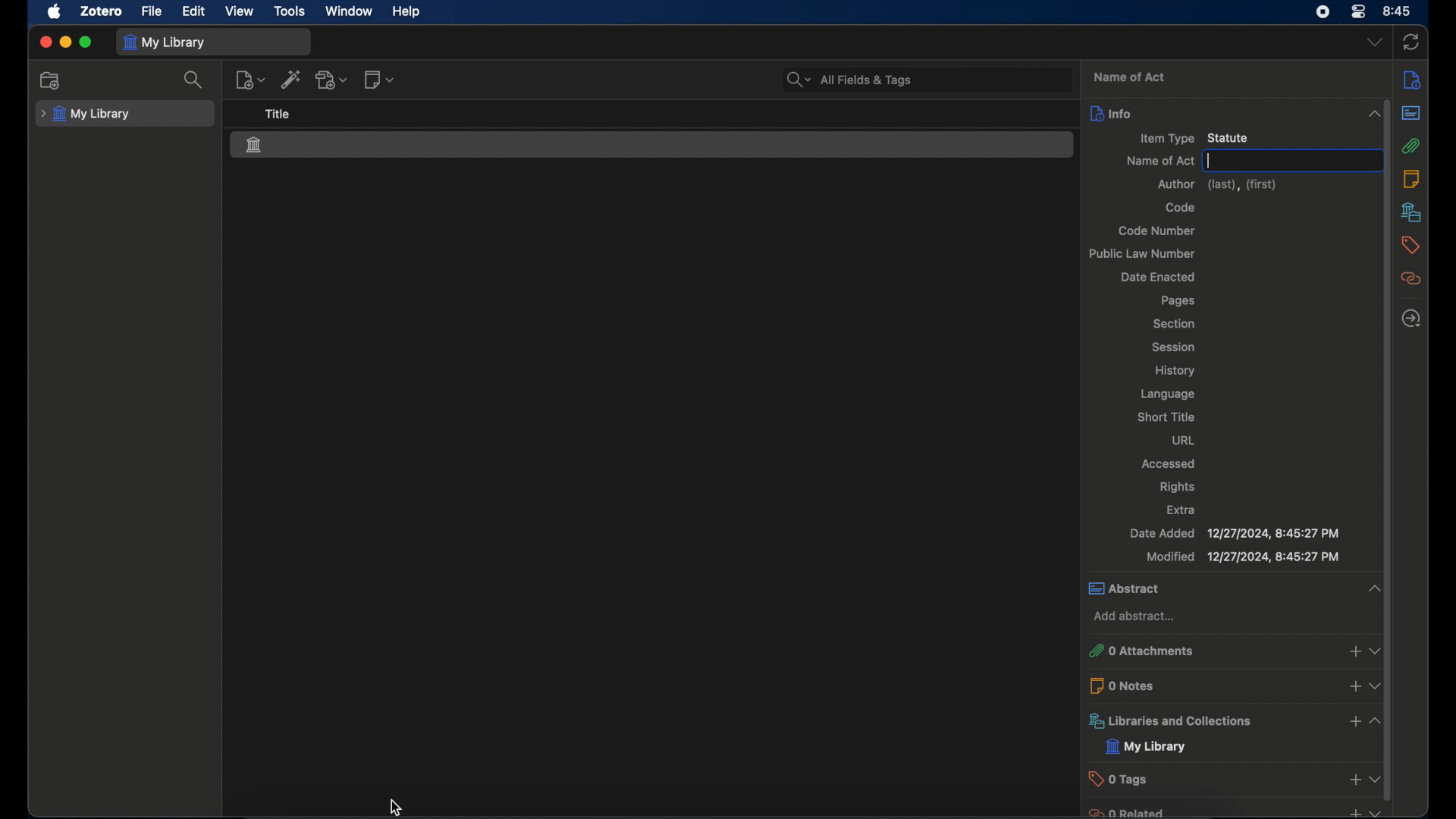  Describe the element at coordinates (1376, 686) in the screenshot. I see `dropdown` at that location.